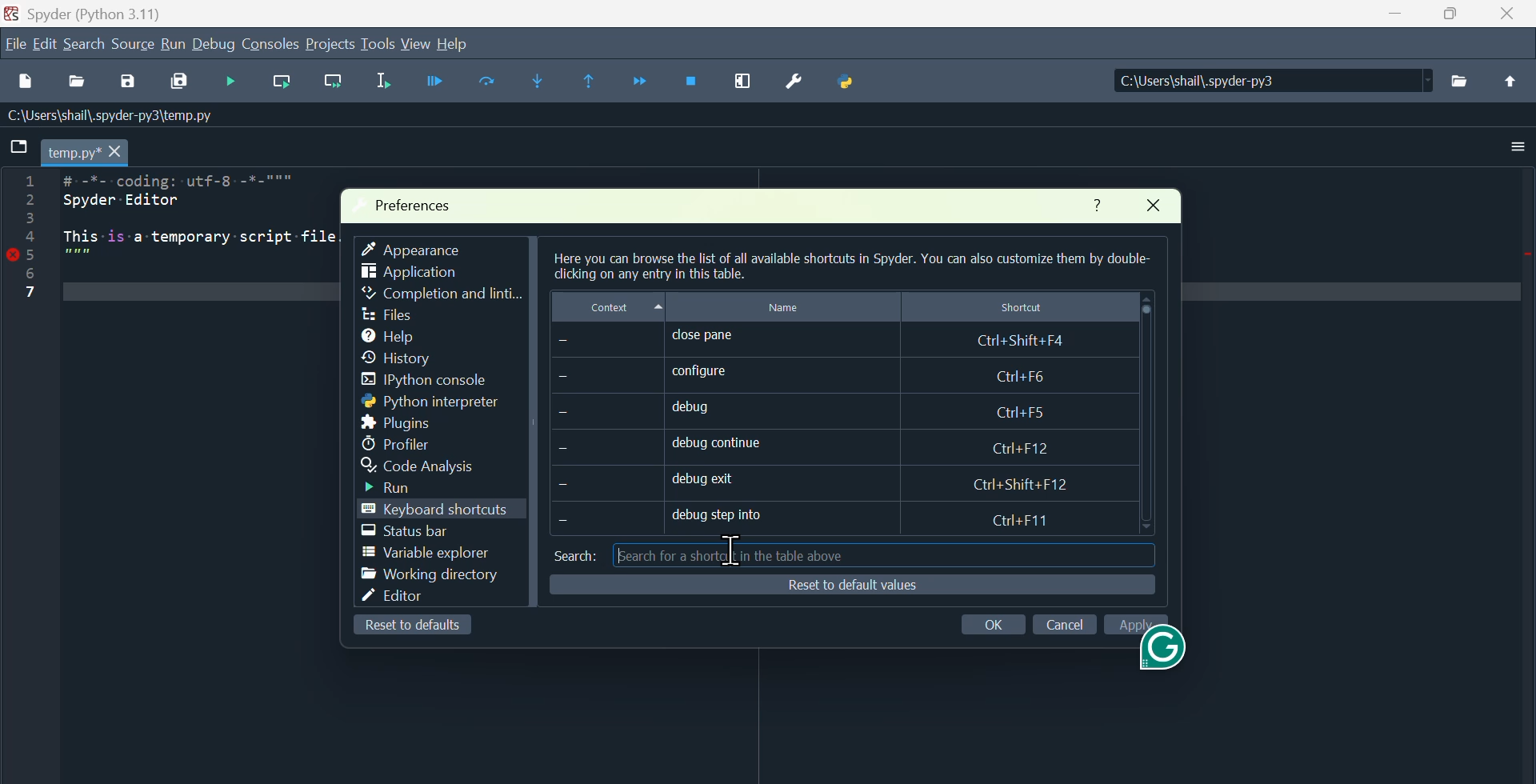 This screenshot has width=1536, height=784. I want to click on minimise, so click(1390, 19).